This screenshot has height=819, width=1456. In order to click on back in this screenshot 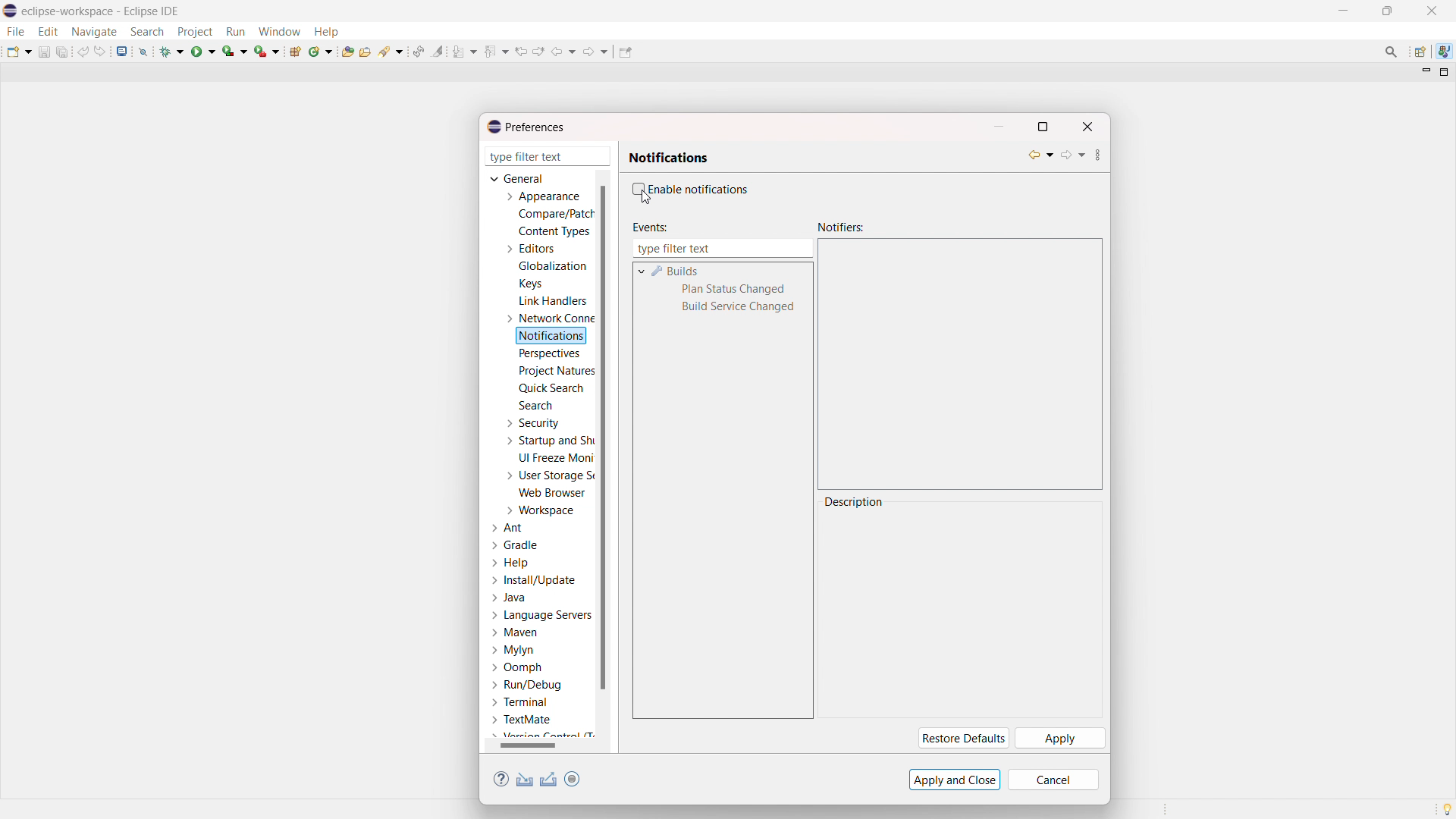, I will do `click(563, 52)`.